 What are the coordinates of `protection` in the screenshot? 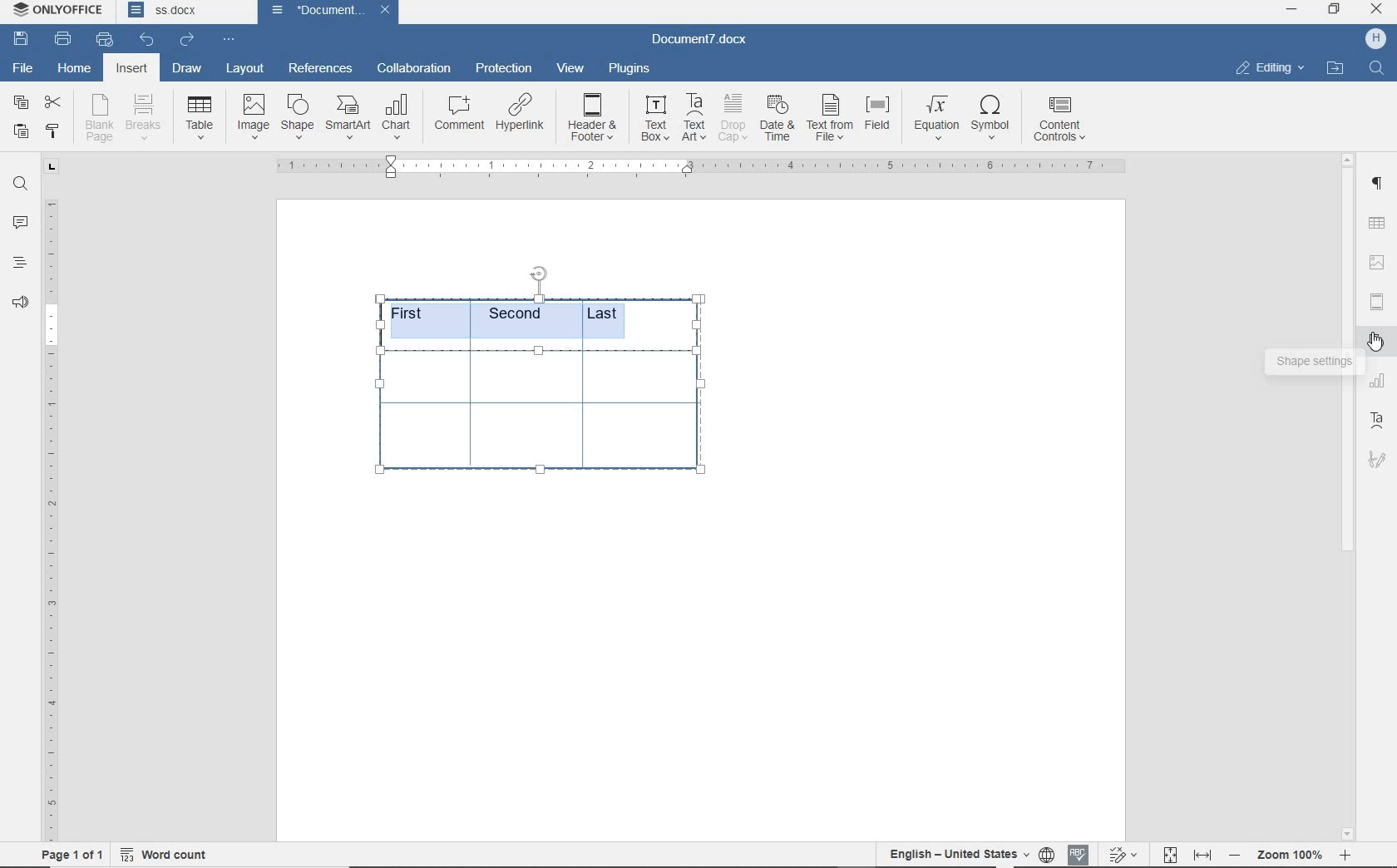 It's located at (503, 69).